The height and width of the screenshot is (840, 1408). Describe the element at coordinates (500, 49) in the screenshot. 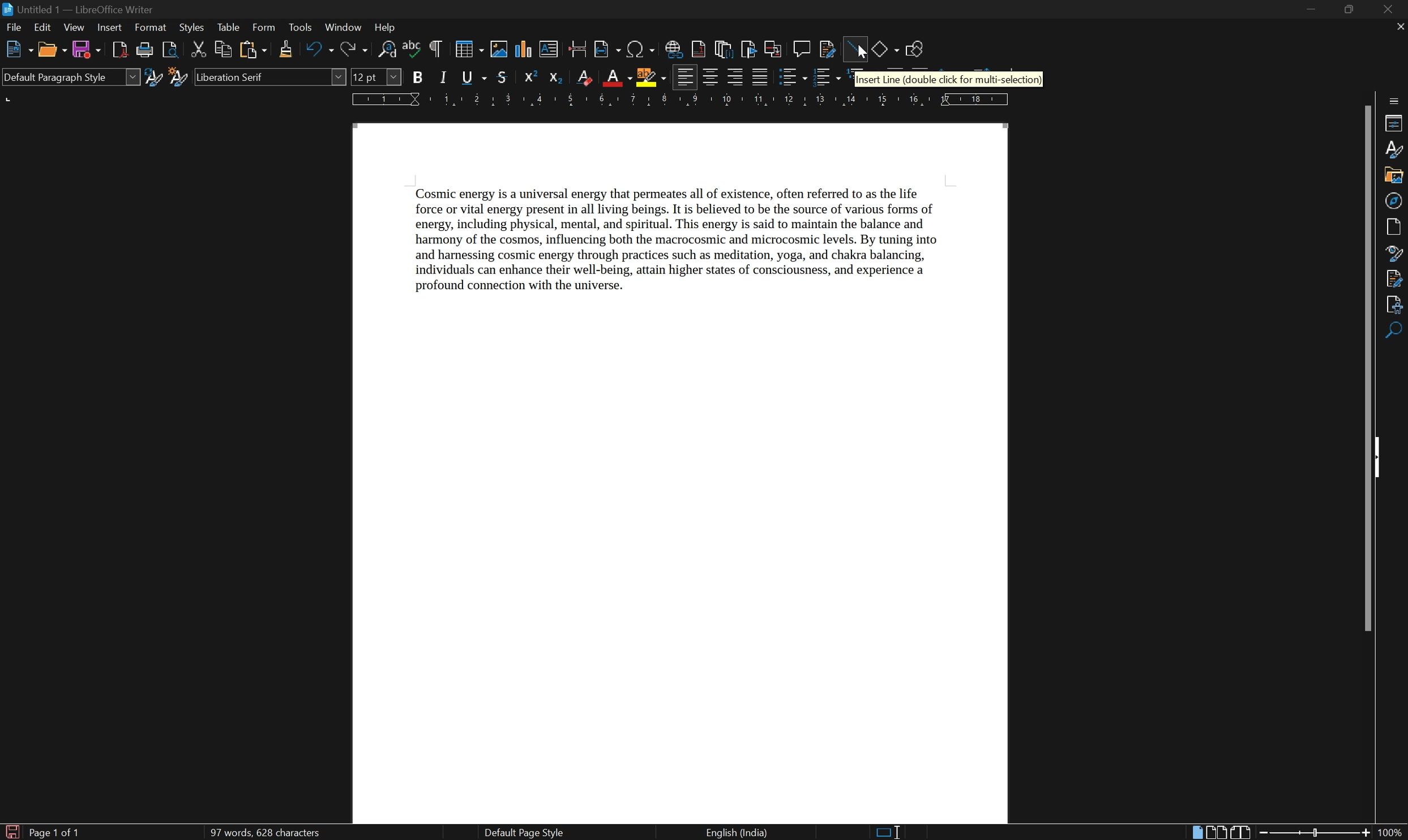

I see `insert image` at that location.